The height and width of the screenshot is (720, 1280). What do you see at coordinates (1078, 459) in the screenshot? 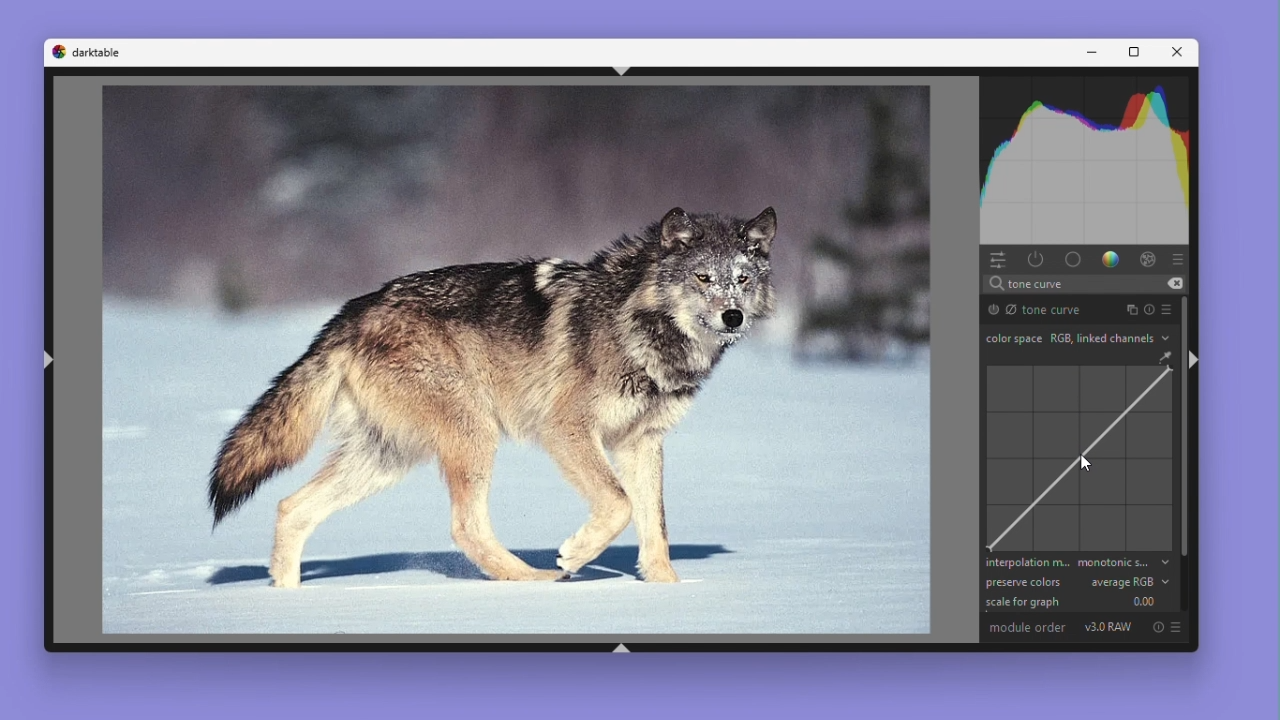
I see `tone curve` at bounding box center [1078, 459].